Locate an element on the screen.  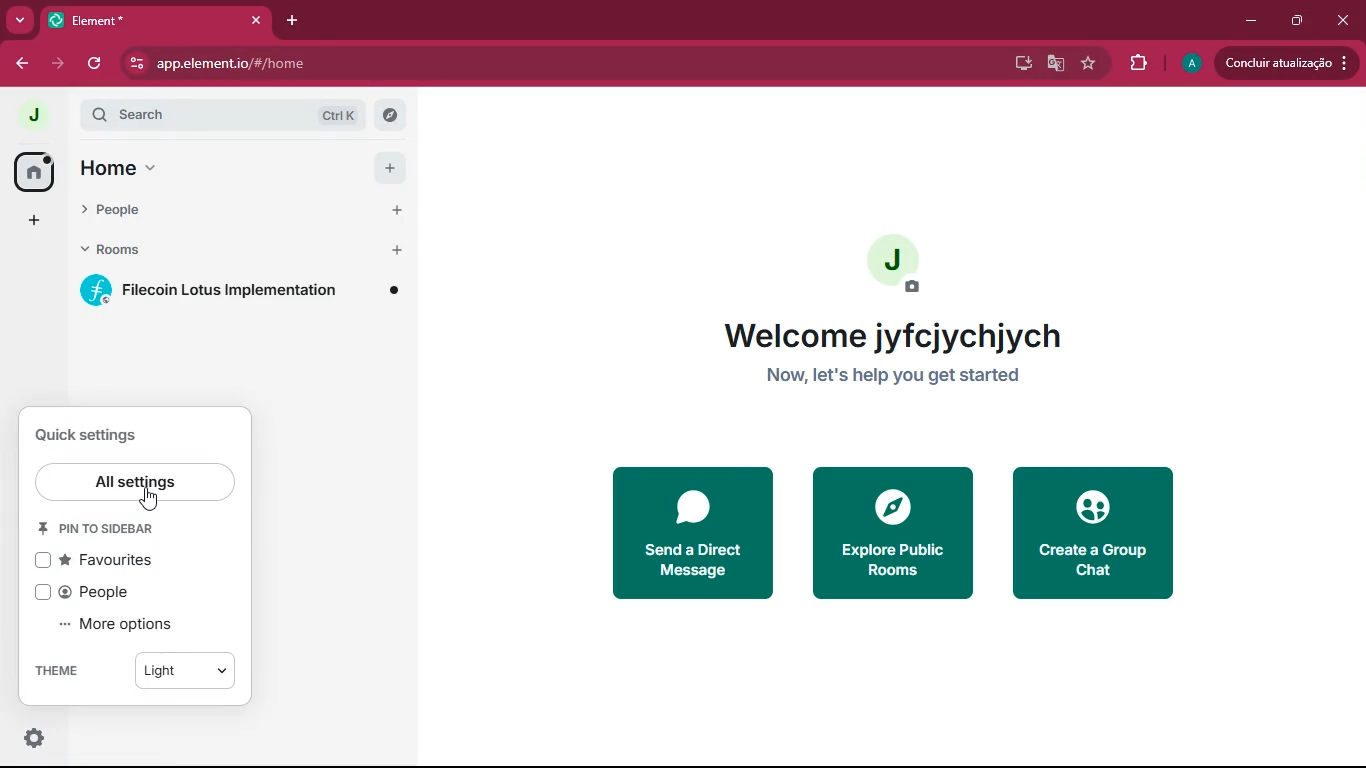
expand is located at coordinates (68, 117).